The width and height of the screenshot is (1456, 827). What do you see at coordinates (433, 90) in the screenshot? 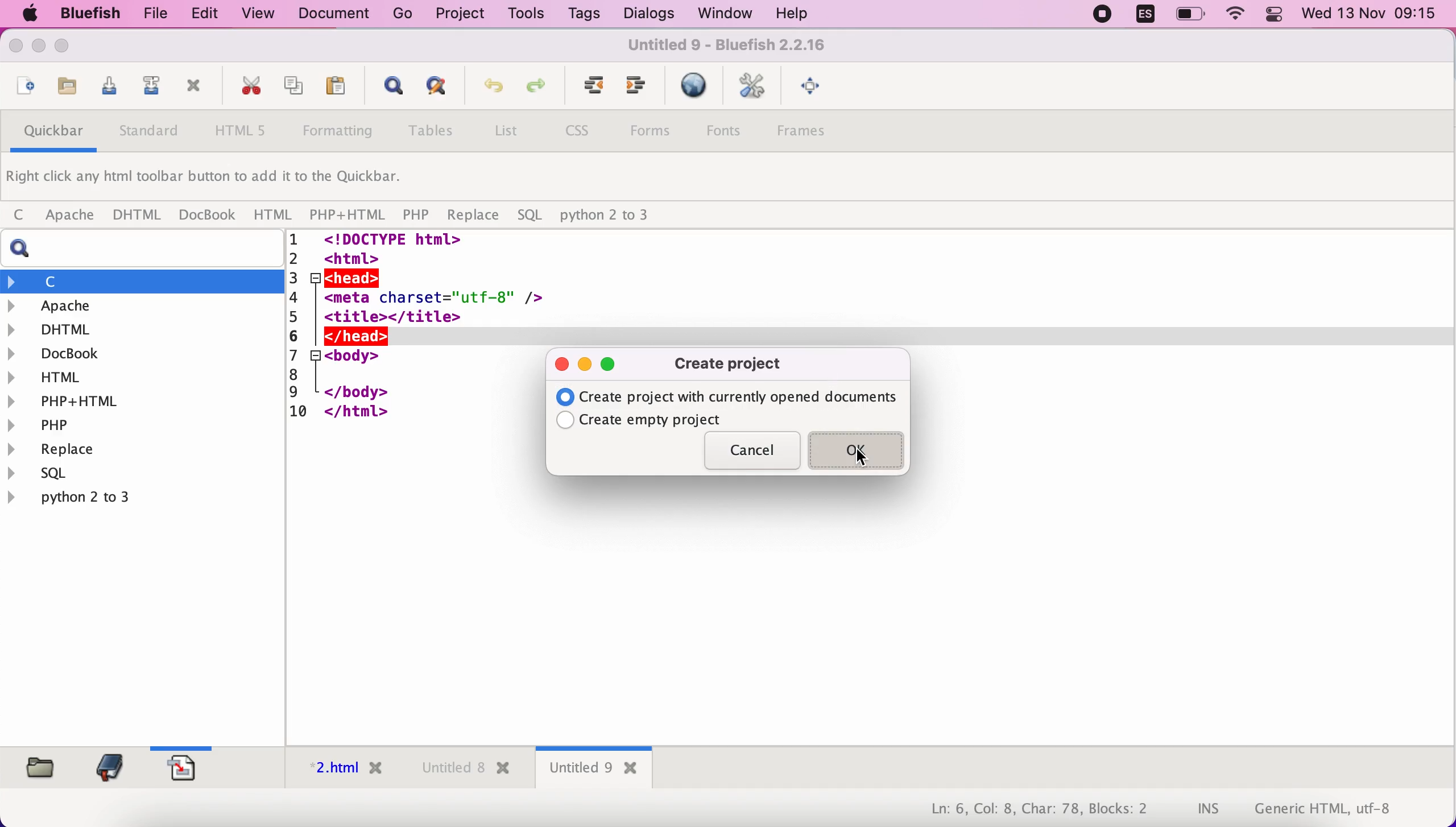
I see `advanced find and replace` at bounding box center [433, 90].